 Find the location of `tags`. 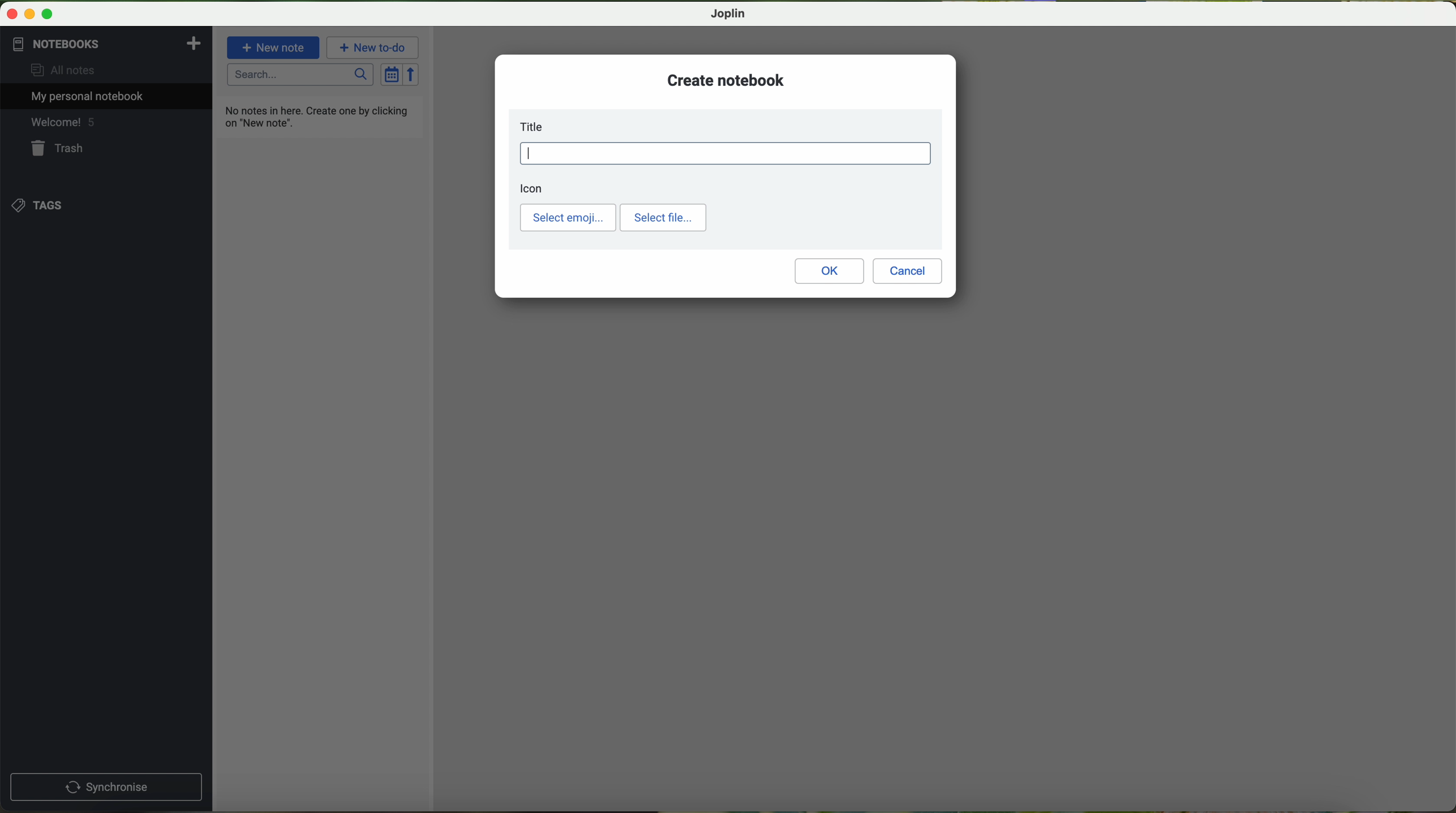

tags is located at coordinates (36, 204).